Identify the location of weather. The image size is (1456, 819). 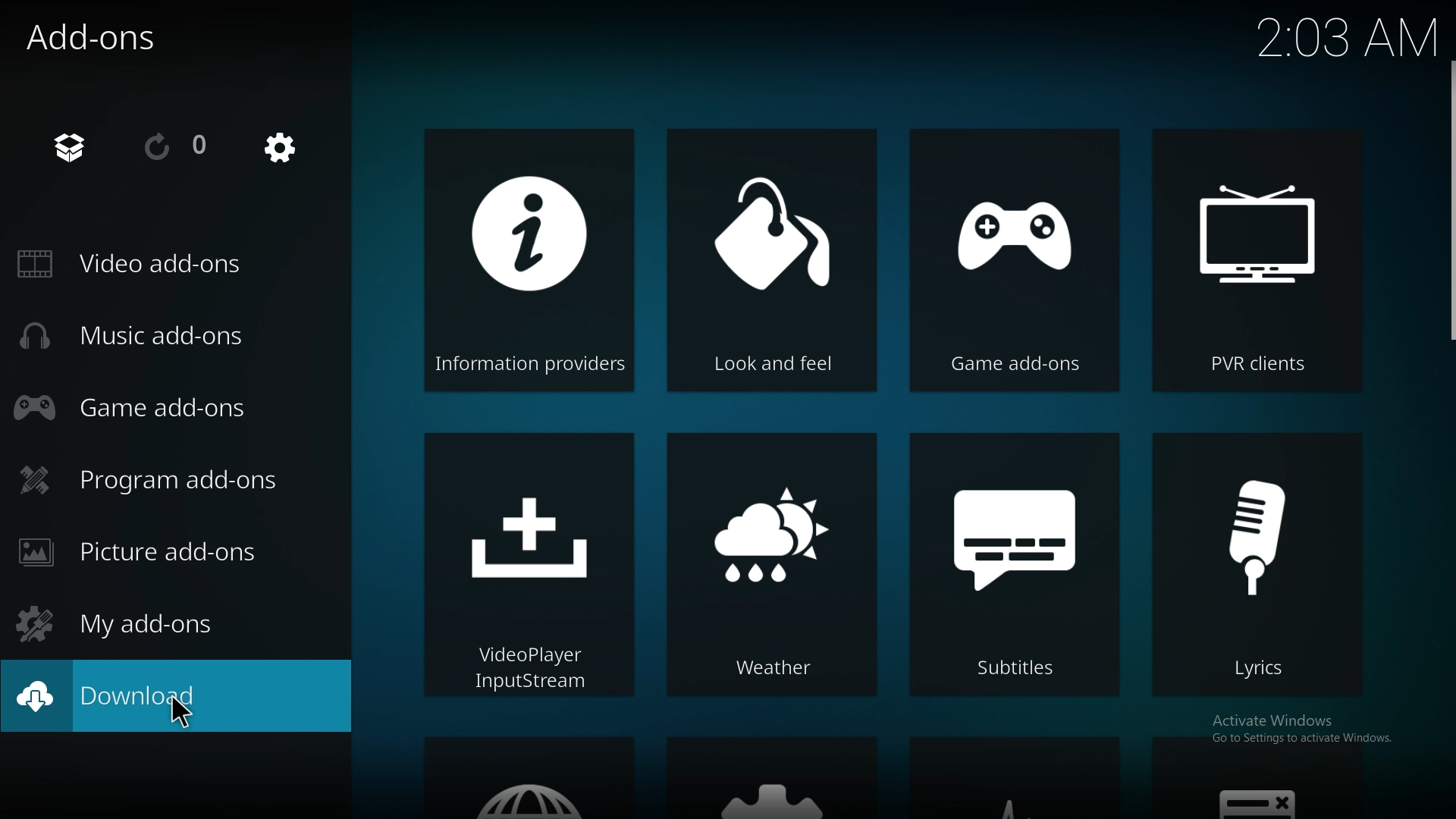
(772, 562).